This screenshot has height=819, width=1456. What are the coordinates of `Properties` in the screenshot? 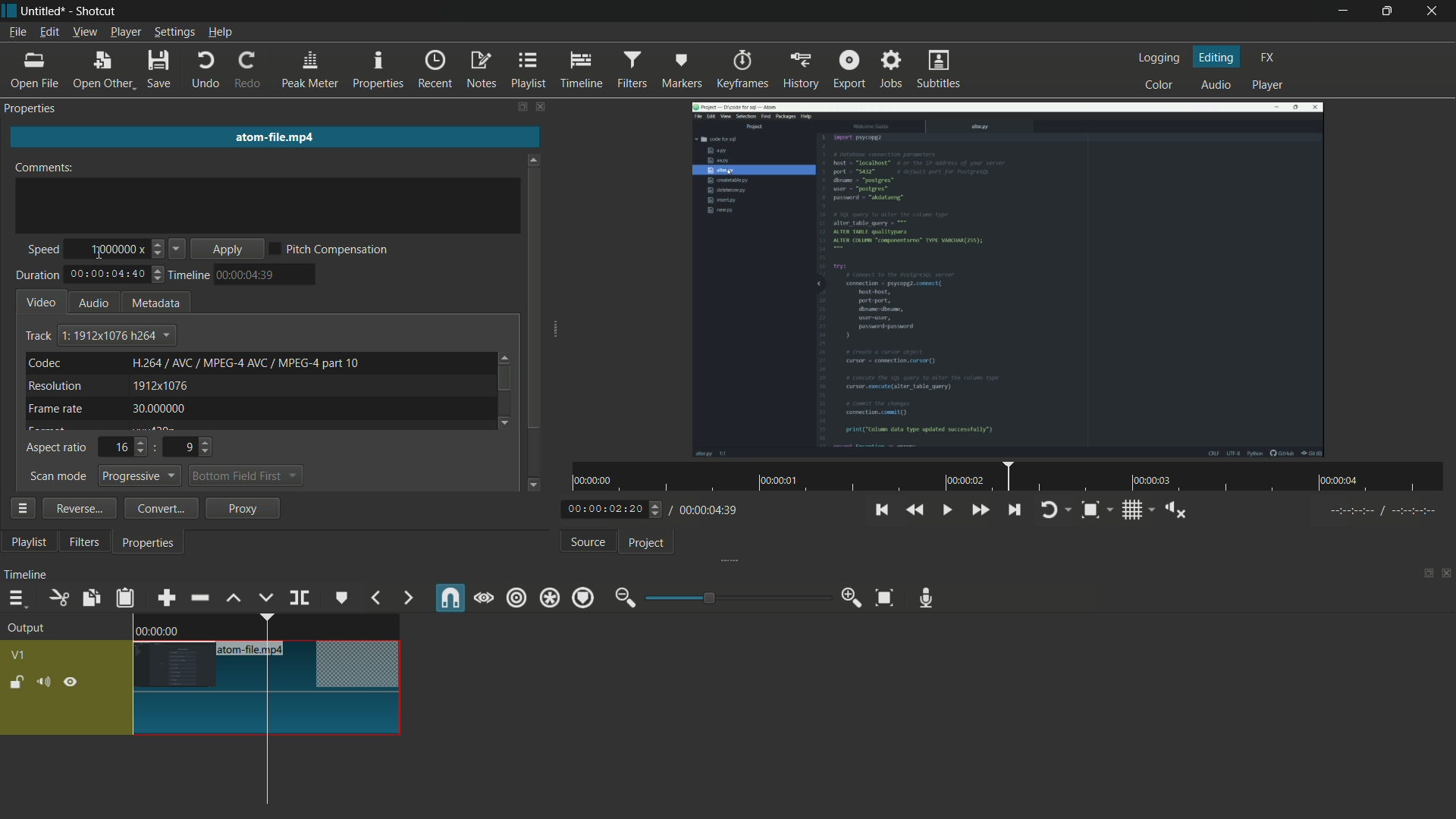 It's located at (37, 108).